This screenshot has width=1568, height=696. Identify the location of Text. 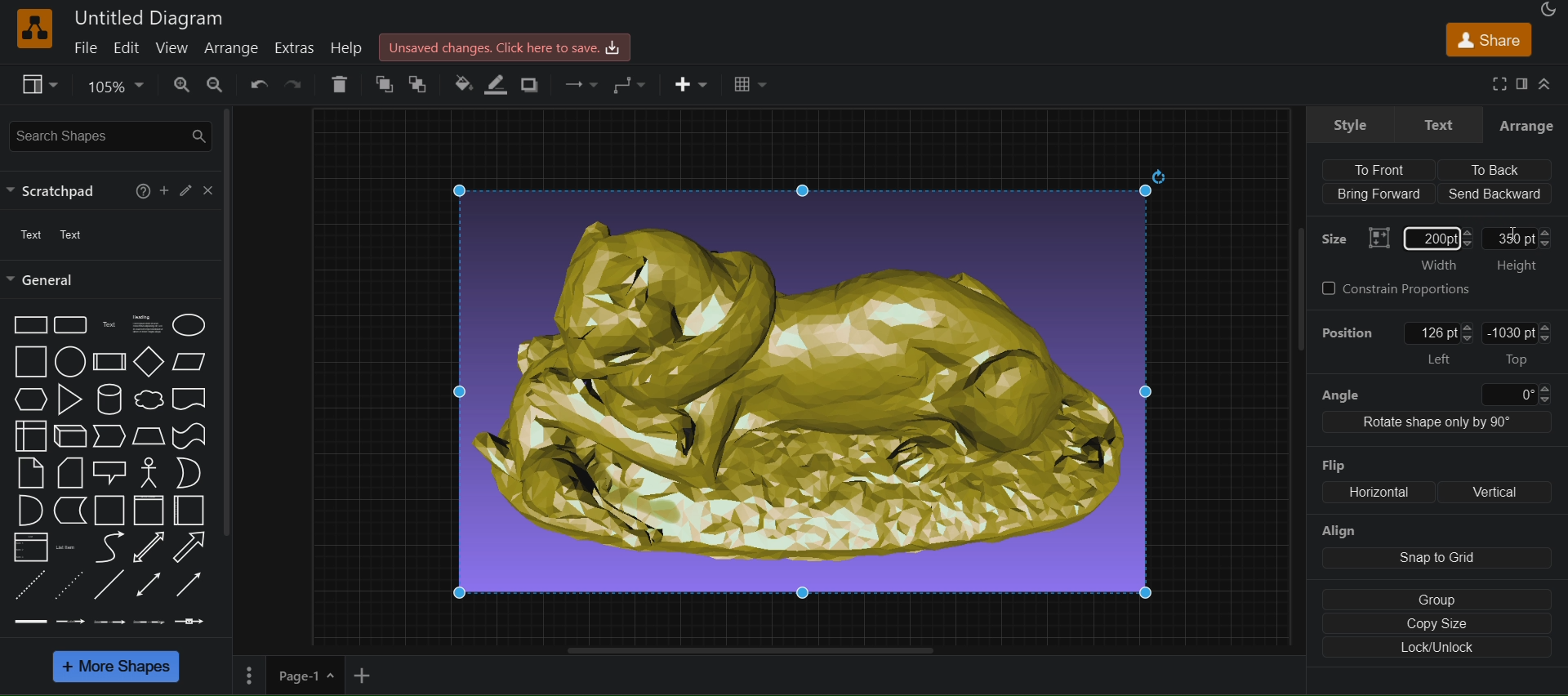
(77, 234).